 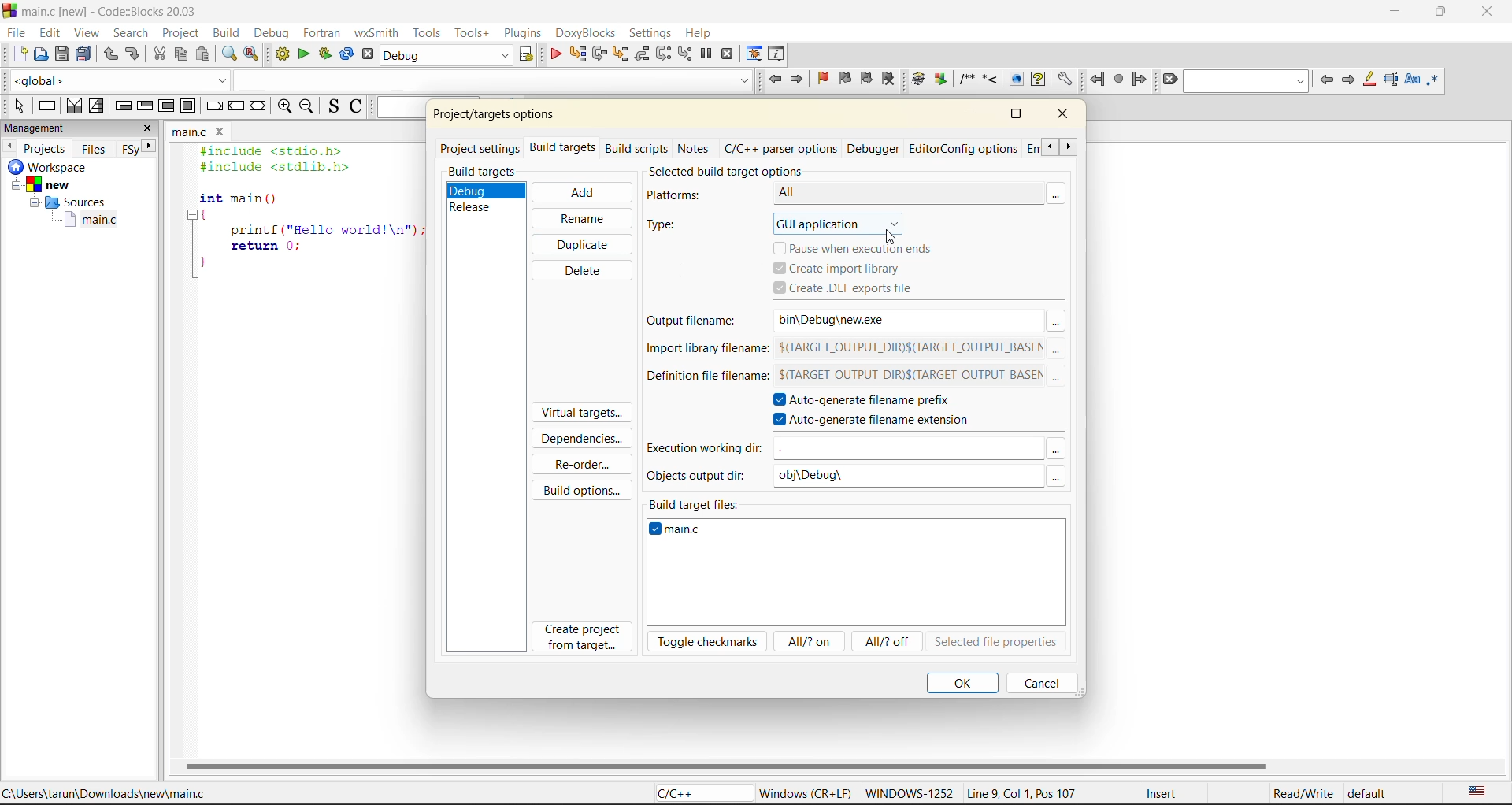 What do you see at coordinates (132, 33) in the screenshot?
I see `search` at bounding box center [132, 33].